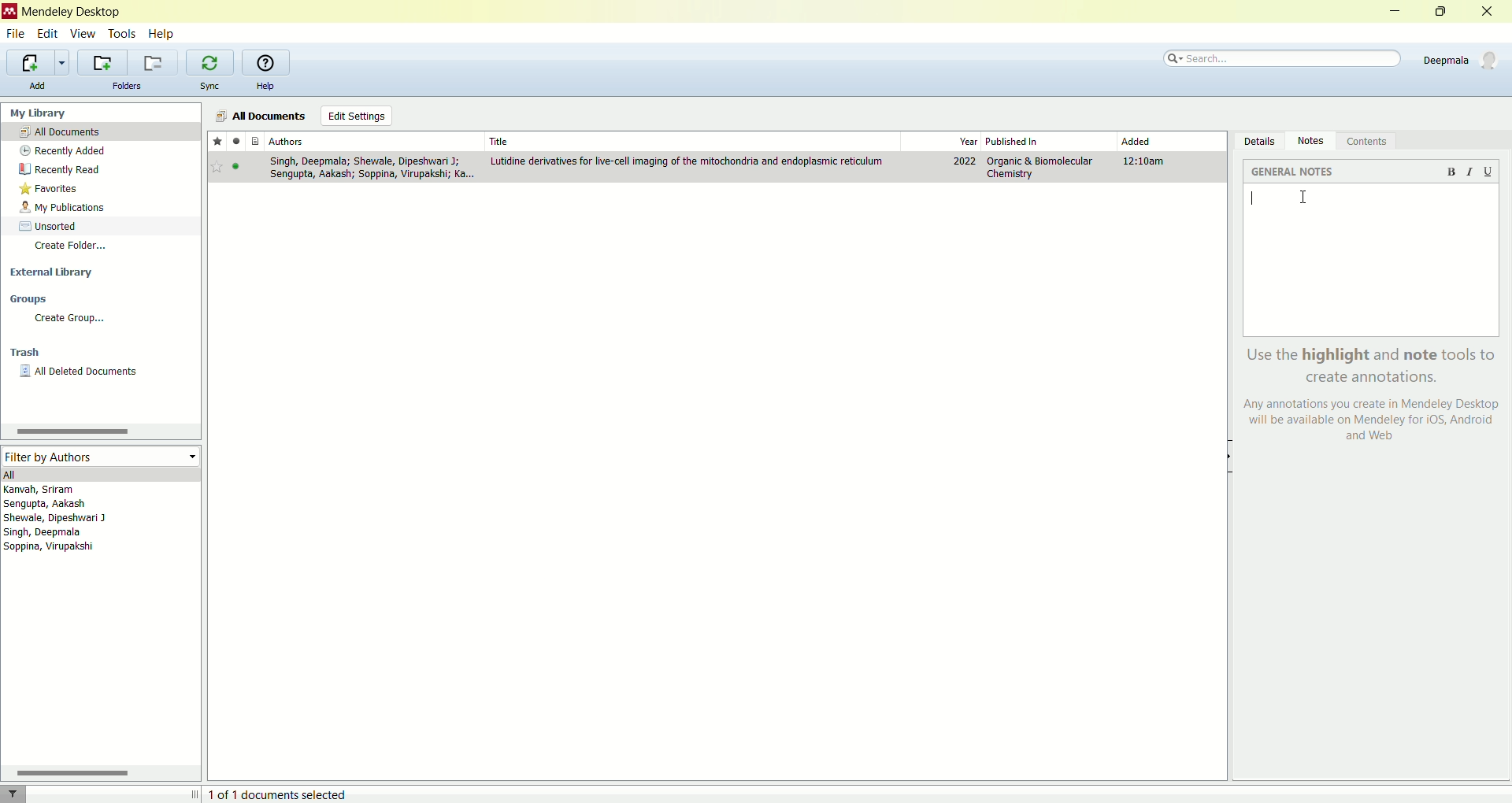 The width and height of the screenshot is (1512, 803). What do you see at coordinates (212, 62) in the screenshot?
I see `synchronize your library with Mendeley web` at bounding box center [212, 62].